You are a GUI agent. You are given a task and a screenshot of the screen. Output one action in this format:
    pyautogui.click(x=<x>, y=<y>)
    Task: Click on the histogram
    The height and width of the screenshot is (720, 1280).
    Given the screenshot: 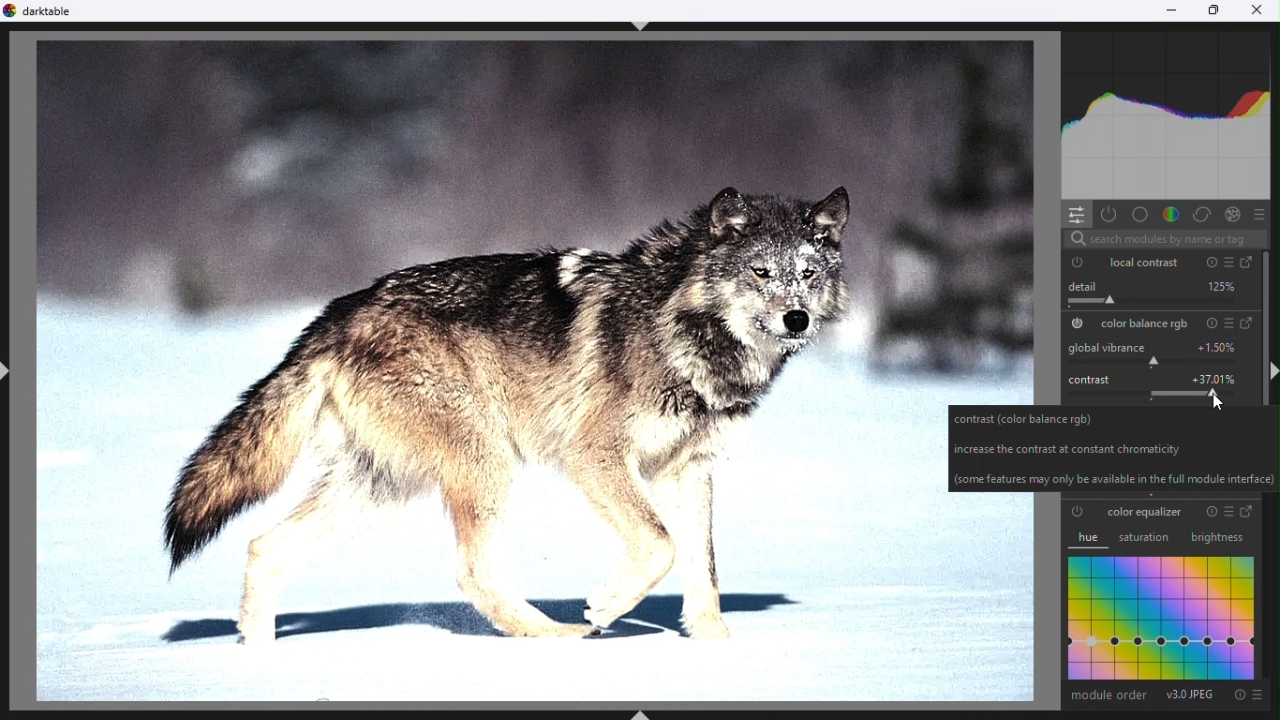 What is the action you would take?
    pyautogui.click(x=1167, y=113)
    